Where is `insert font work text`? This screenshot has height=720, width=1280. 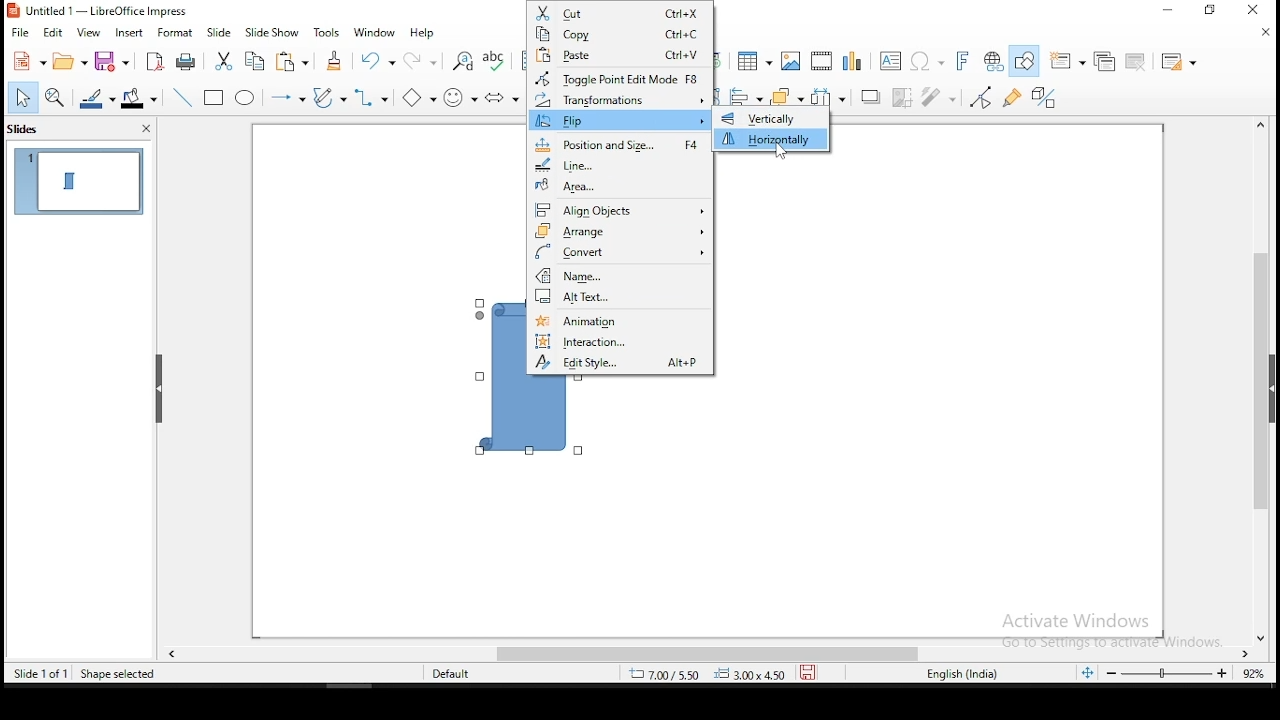 insert font work text is located at coordinates (963, 61).